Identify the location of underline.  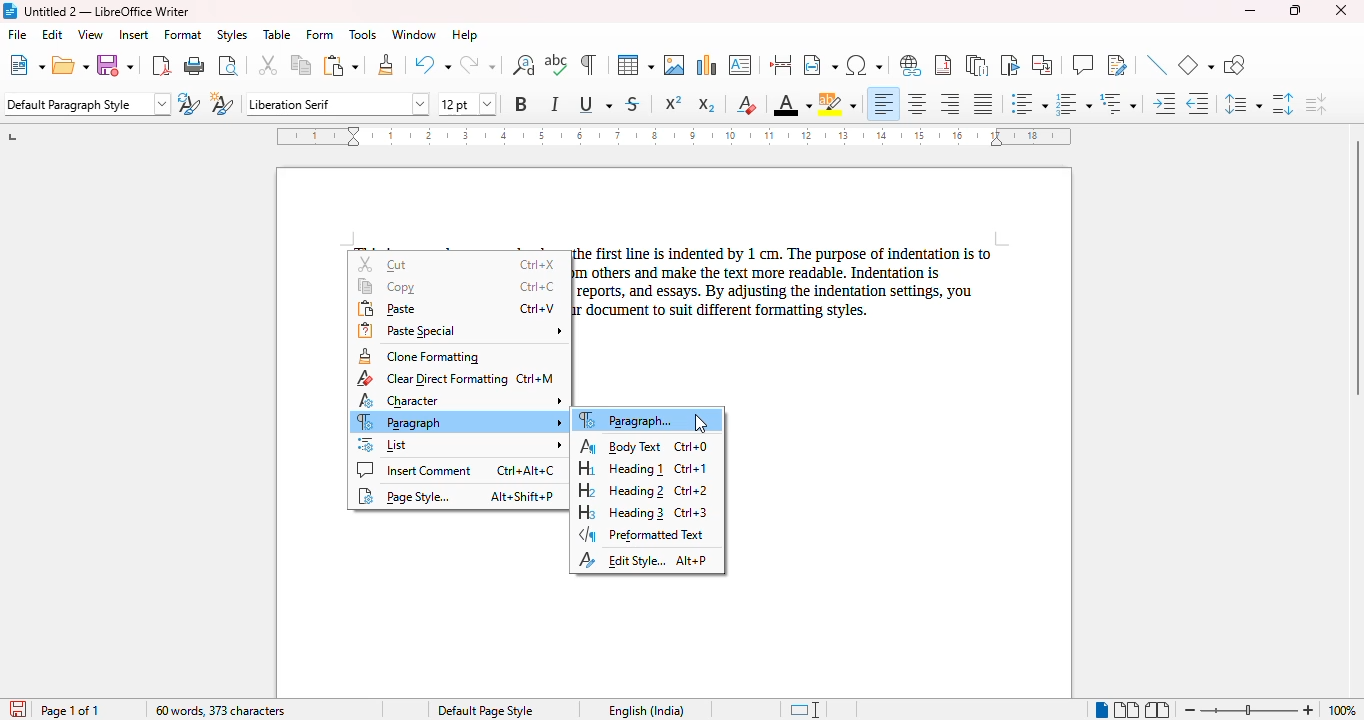
(594, 105).